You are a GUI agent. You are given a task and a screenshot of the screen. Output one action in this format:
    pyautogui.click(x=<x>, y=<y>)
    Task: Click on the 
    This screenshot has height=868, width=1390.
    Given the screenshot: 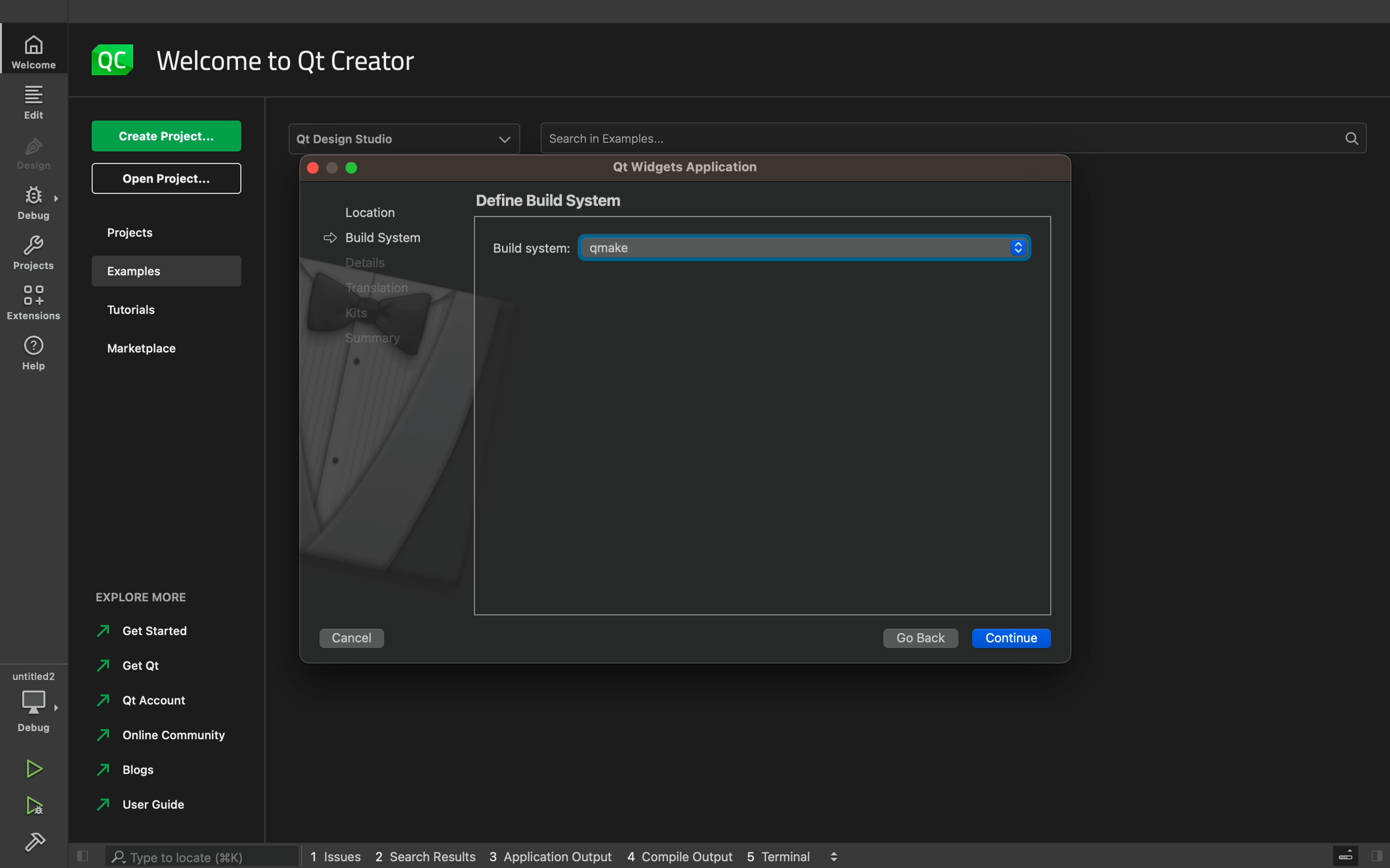 What is the action you would take?
    pyautogui.click(x=379, y=289)
    